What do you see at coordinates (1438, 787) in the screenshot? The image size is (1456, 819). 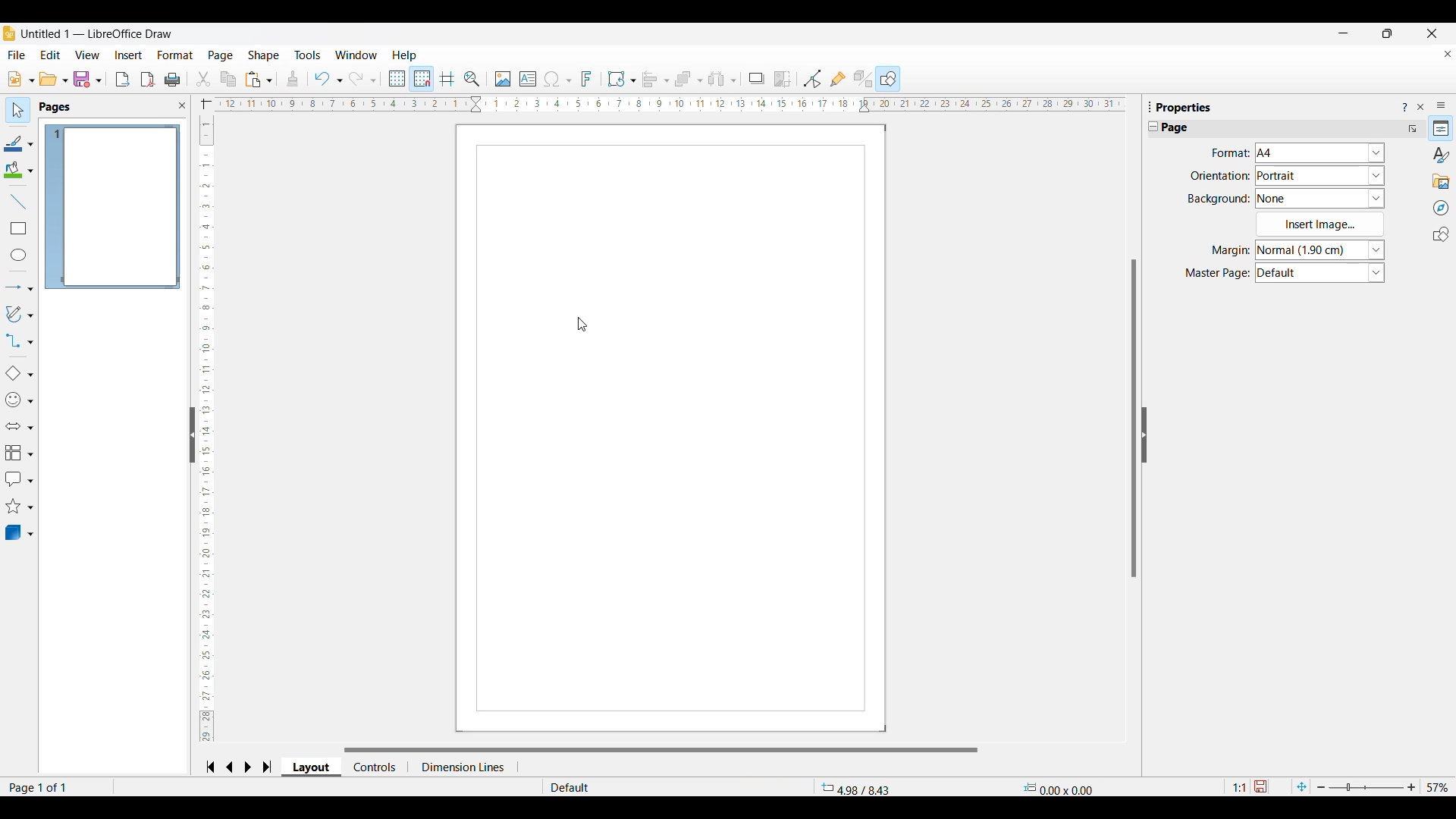 I see `57%` at bounding box center [1438, 787].